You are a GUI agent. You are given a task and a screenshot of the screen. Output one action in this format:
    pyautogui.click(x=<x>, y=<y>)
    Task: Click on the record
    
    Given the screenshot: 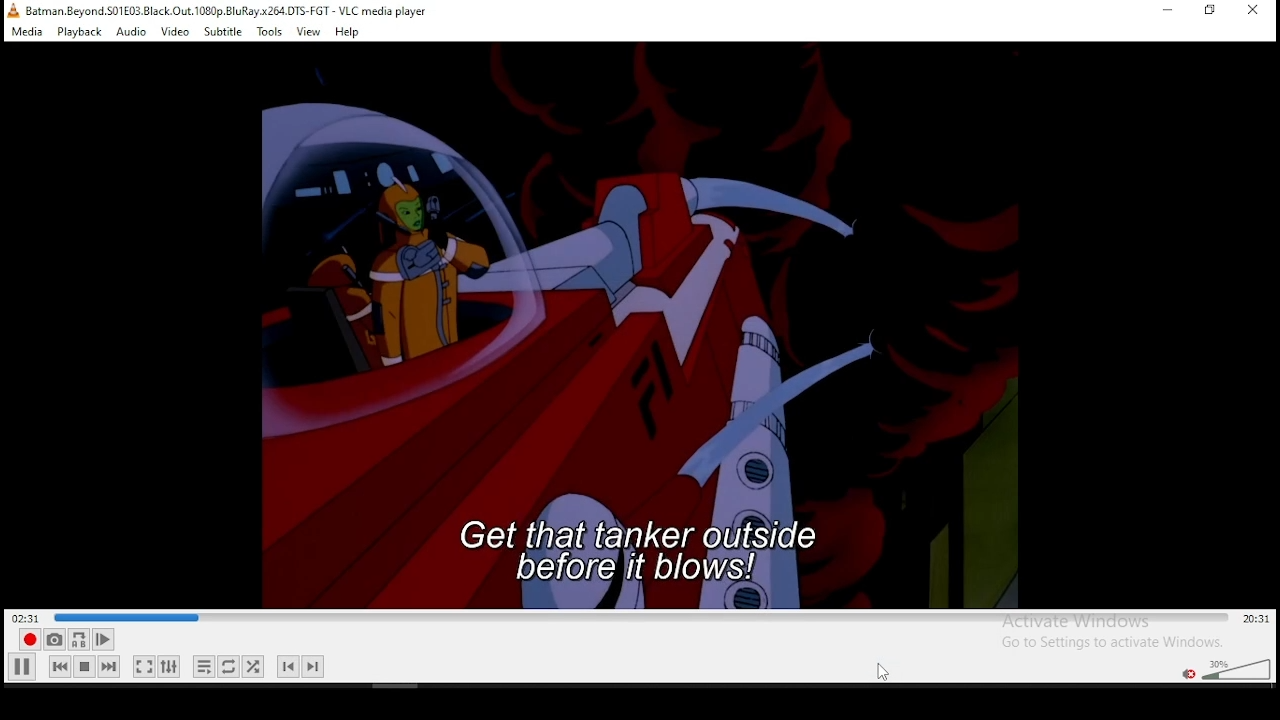 What is the action you would take?
    pyautogui.click(x=30, y=639)
    